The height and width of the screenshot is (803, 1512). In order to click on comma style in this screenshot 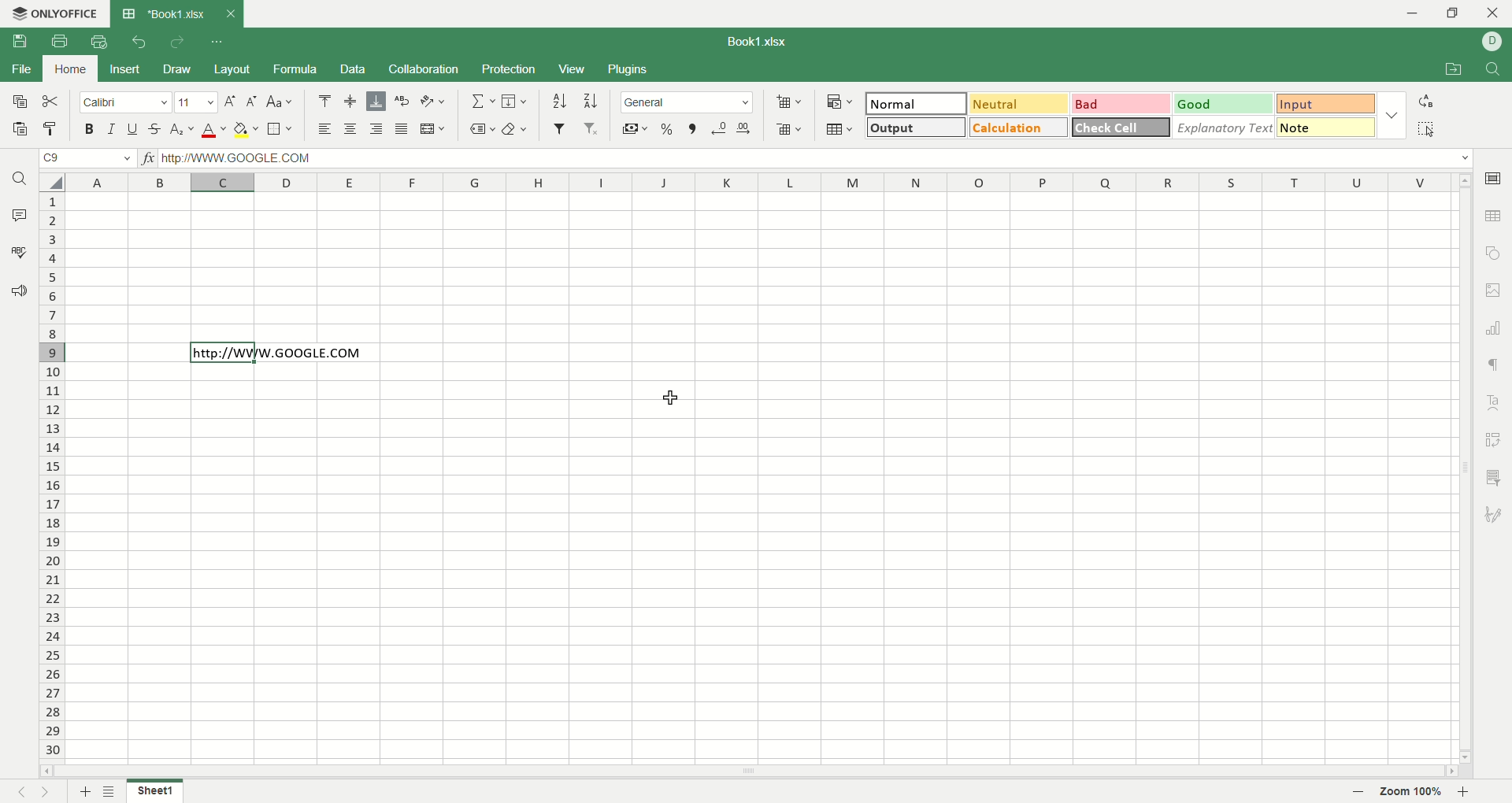, I will do `click(693, 128)`.